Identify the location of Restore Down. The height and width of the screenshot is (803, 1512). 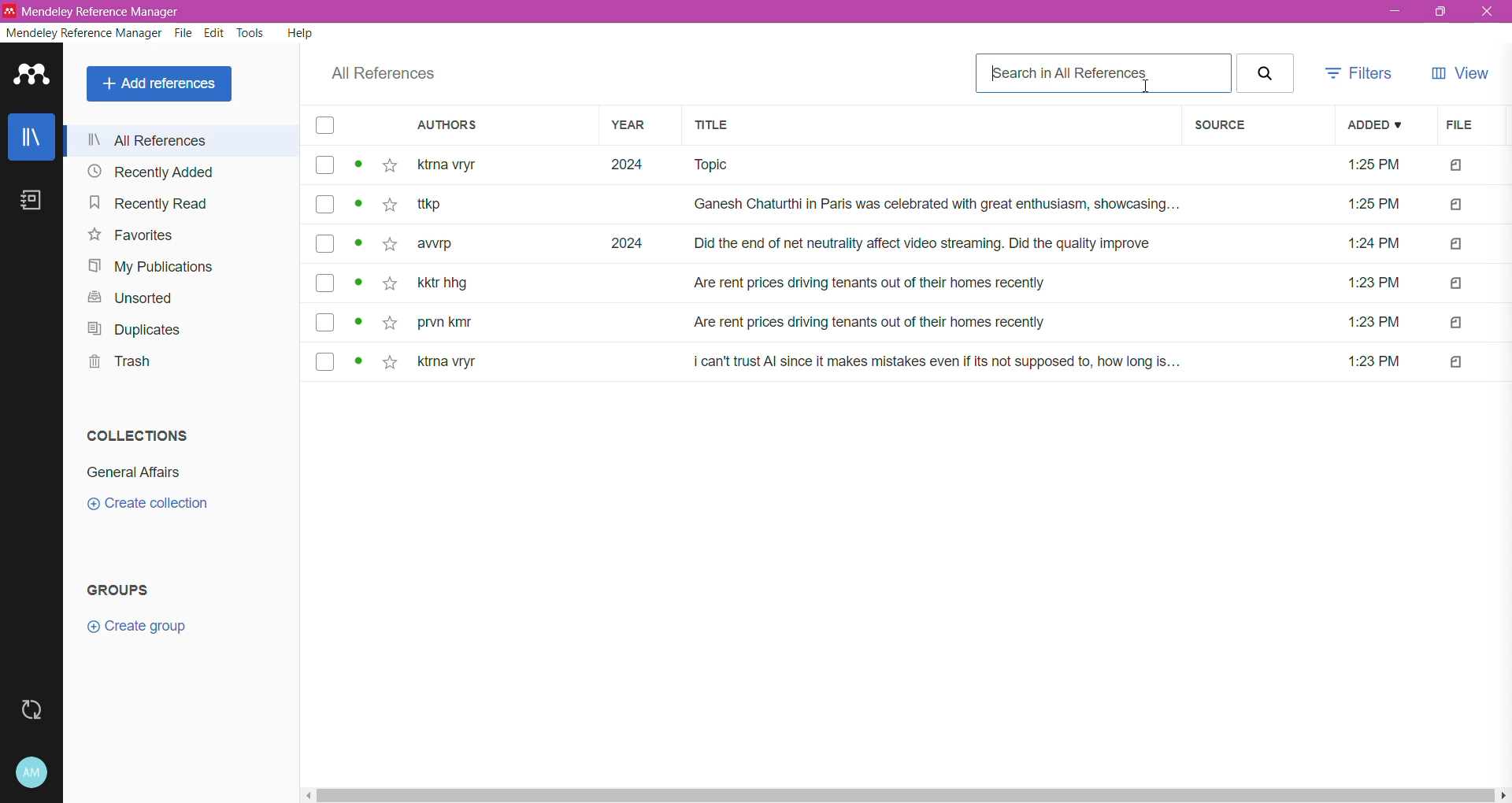
(1443, 13).